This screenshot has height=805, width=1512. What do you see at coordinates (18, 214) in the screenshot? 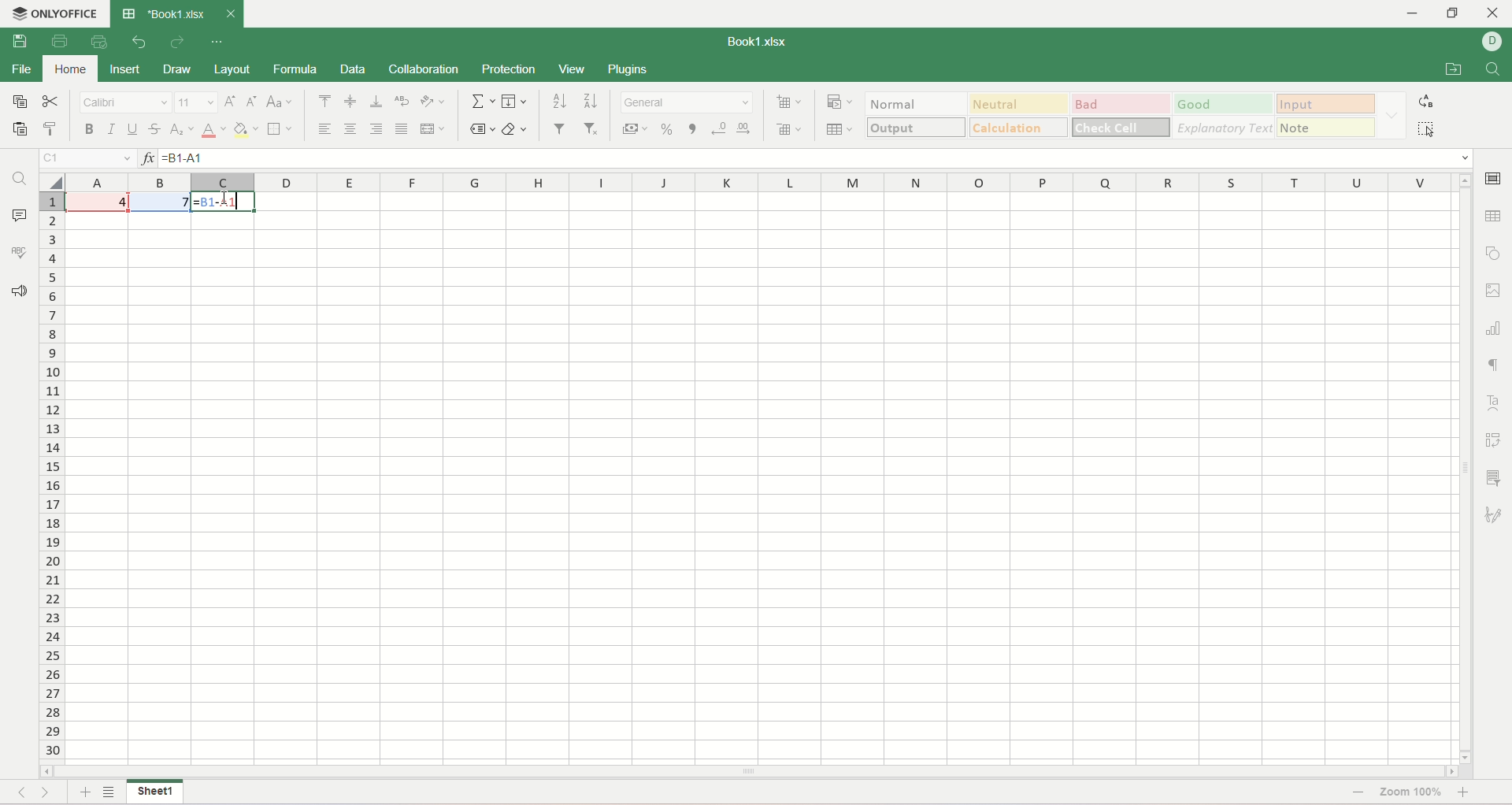
I see `comments` at bounding box center [18, 214].